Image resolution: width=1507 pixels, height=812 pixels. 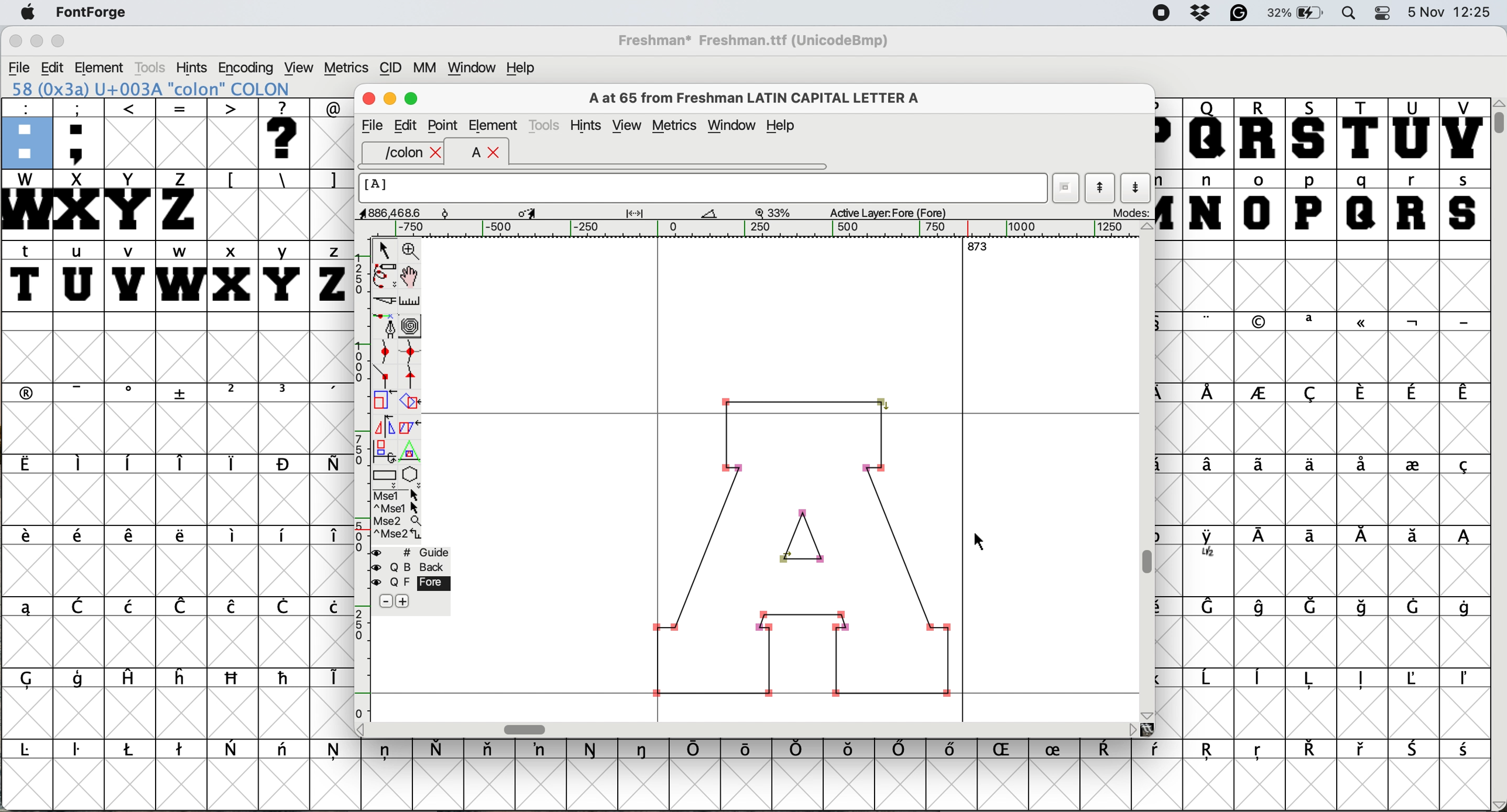 I want to click on o, so click(x=1260, y=204).